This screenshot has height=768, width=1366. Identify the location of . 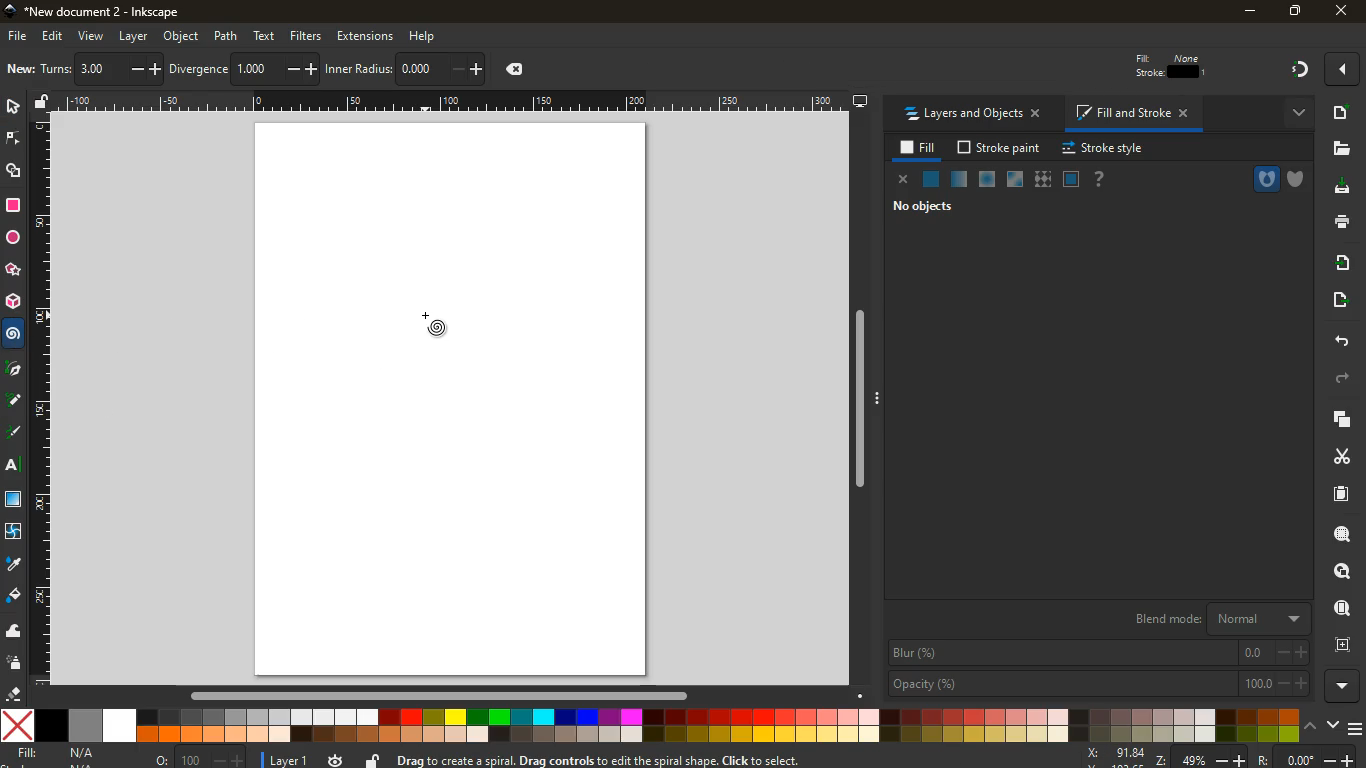
(438, 698).